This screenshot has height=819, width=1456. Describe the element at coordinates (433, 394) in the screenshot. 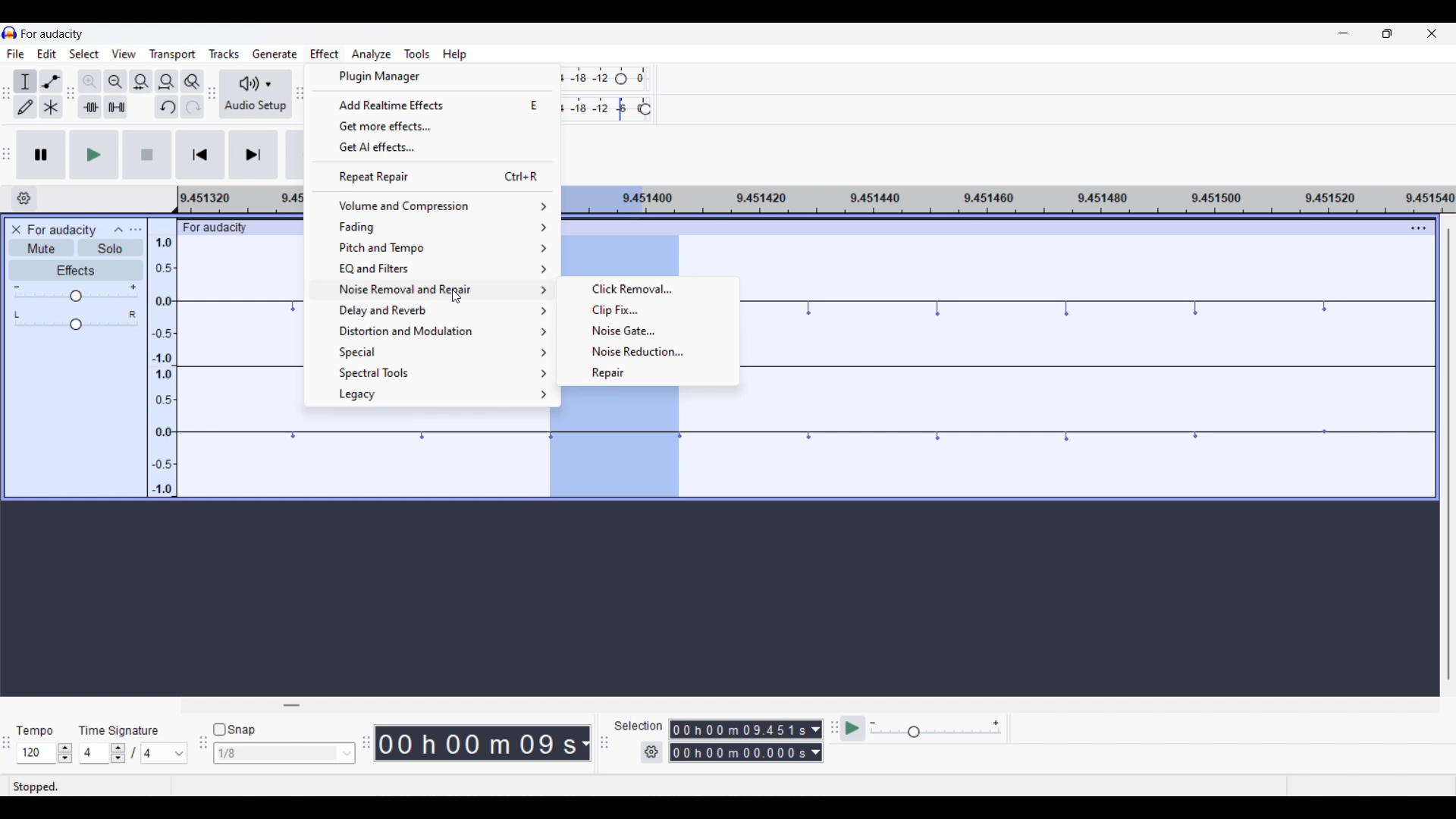

I see `Legacy options` at that location.